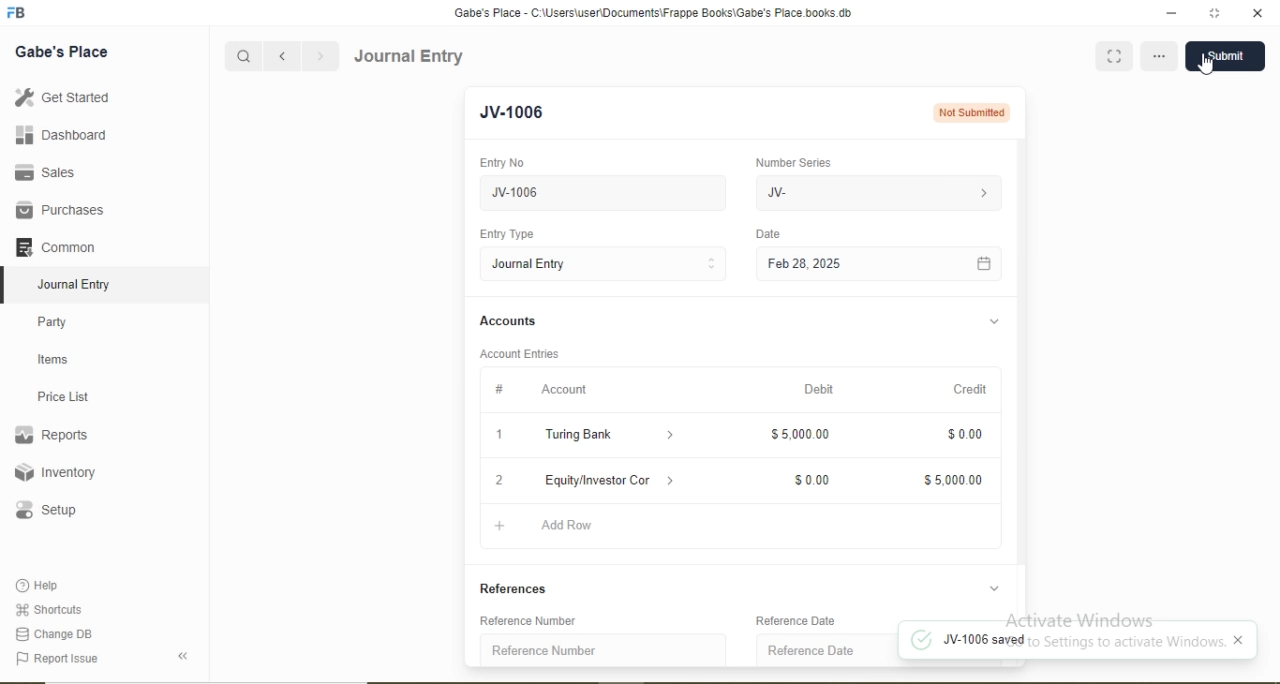 The image size is (1280, 684). I want to click on Reference Date, so click(795, 621).